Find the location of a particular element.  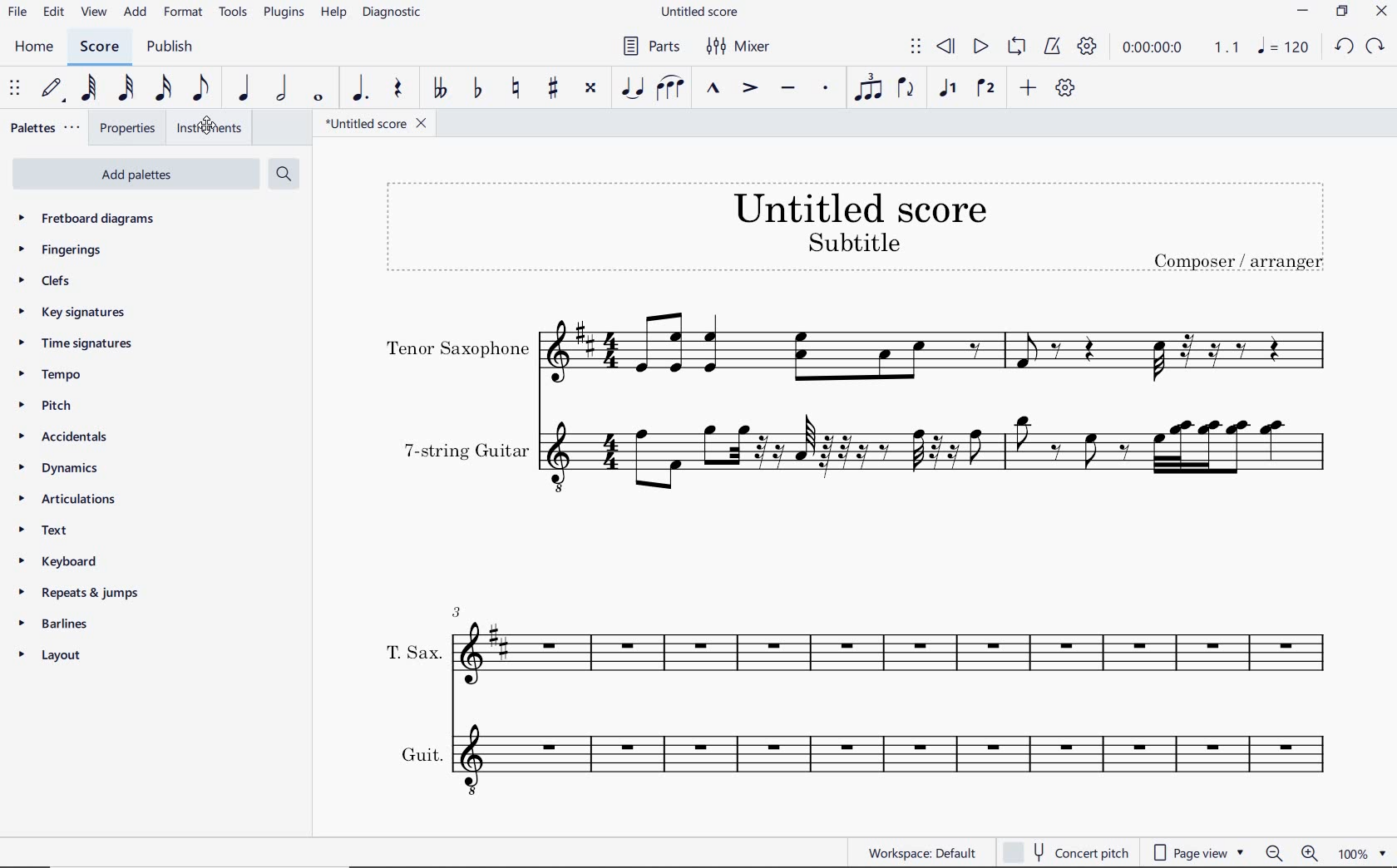

CONCERT PITCH is located at coordinates (1064, 852).